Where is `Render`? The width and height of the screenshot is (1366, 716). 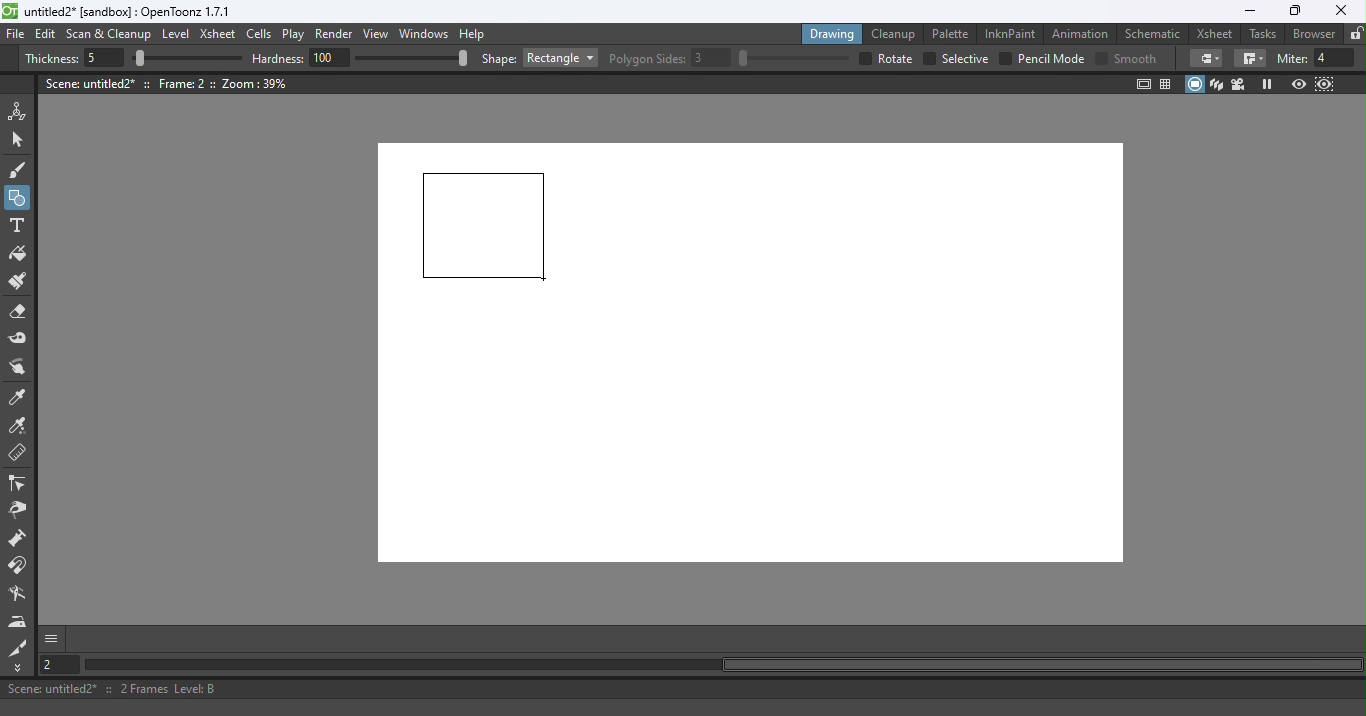
Render is located at coordinates (337, 35).